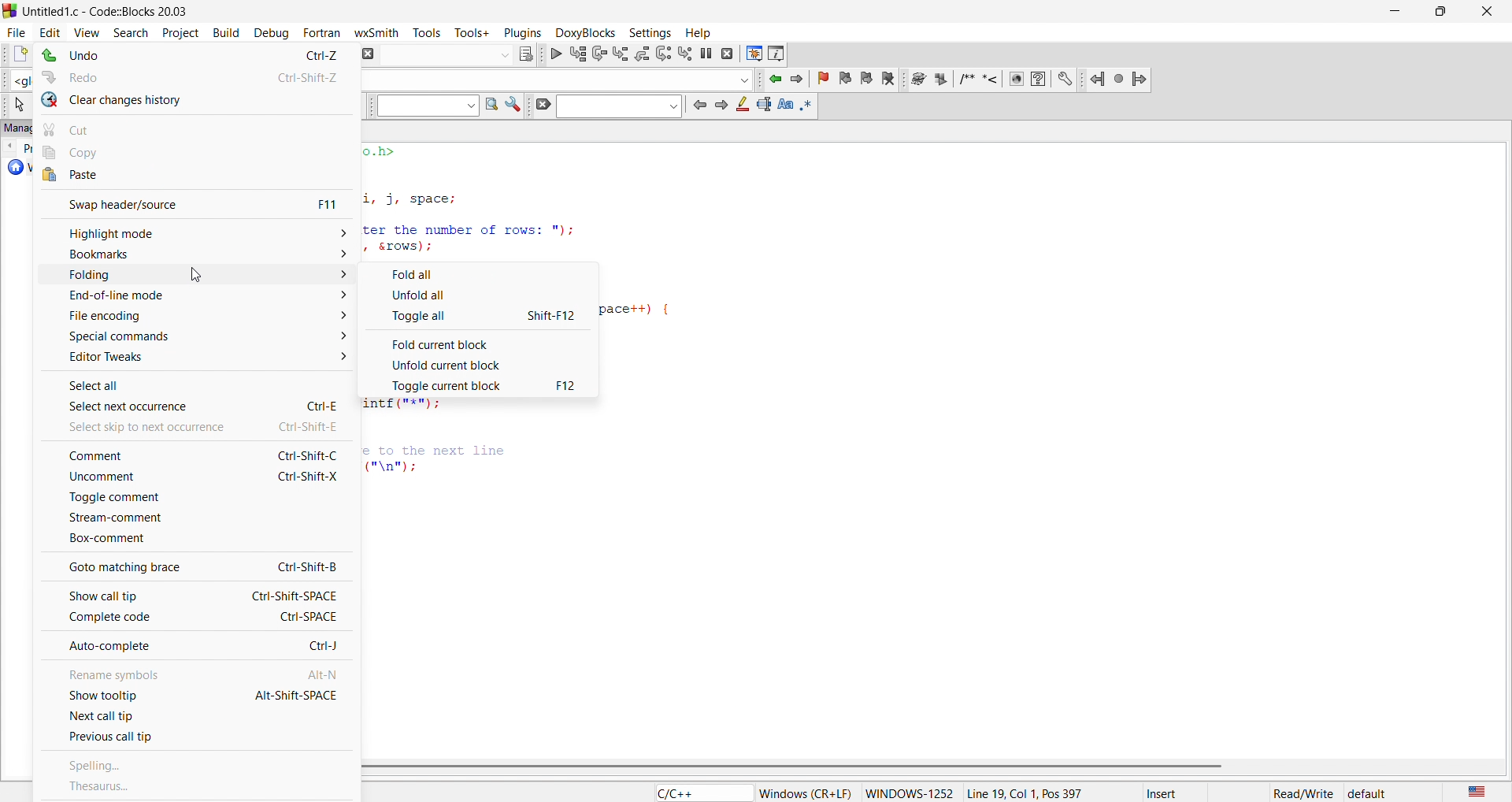 Image resolution: width=1512 pixels, height=802 pixels. I want to click on debugging window, so click(753, 54).